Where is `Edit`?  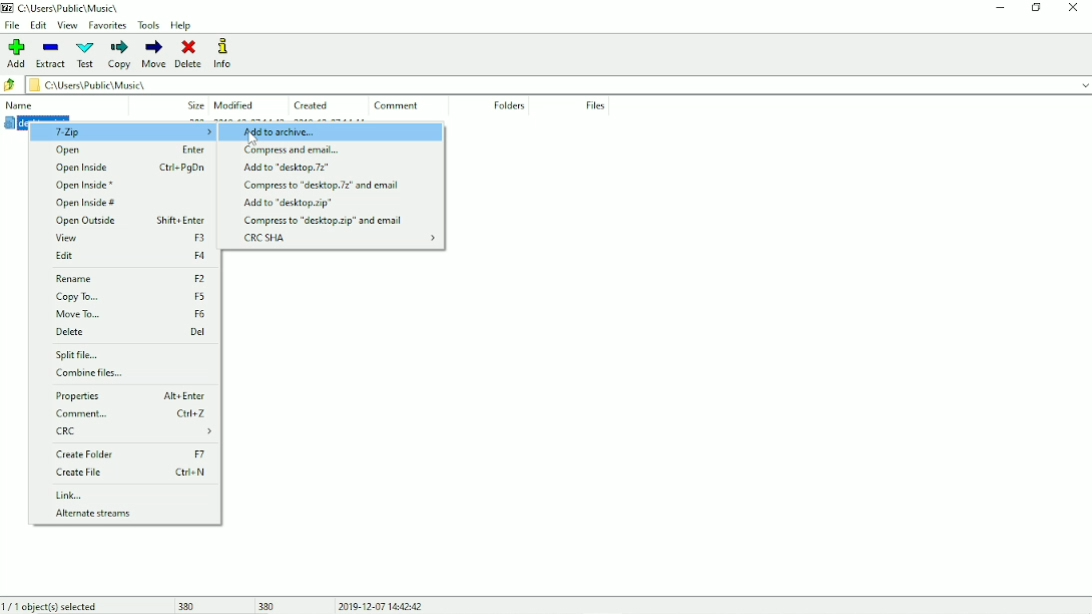 Edit is located at coordinates (129, 256).